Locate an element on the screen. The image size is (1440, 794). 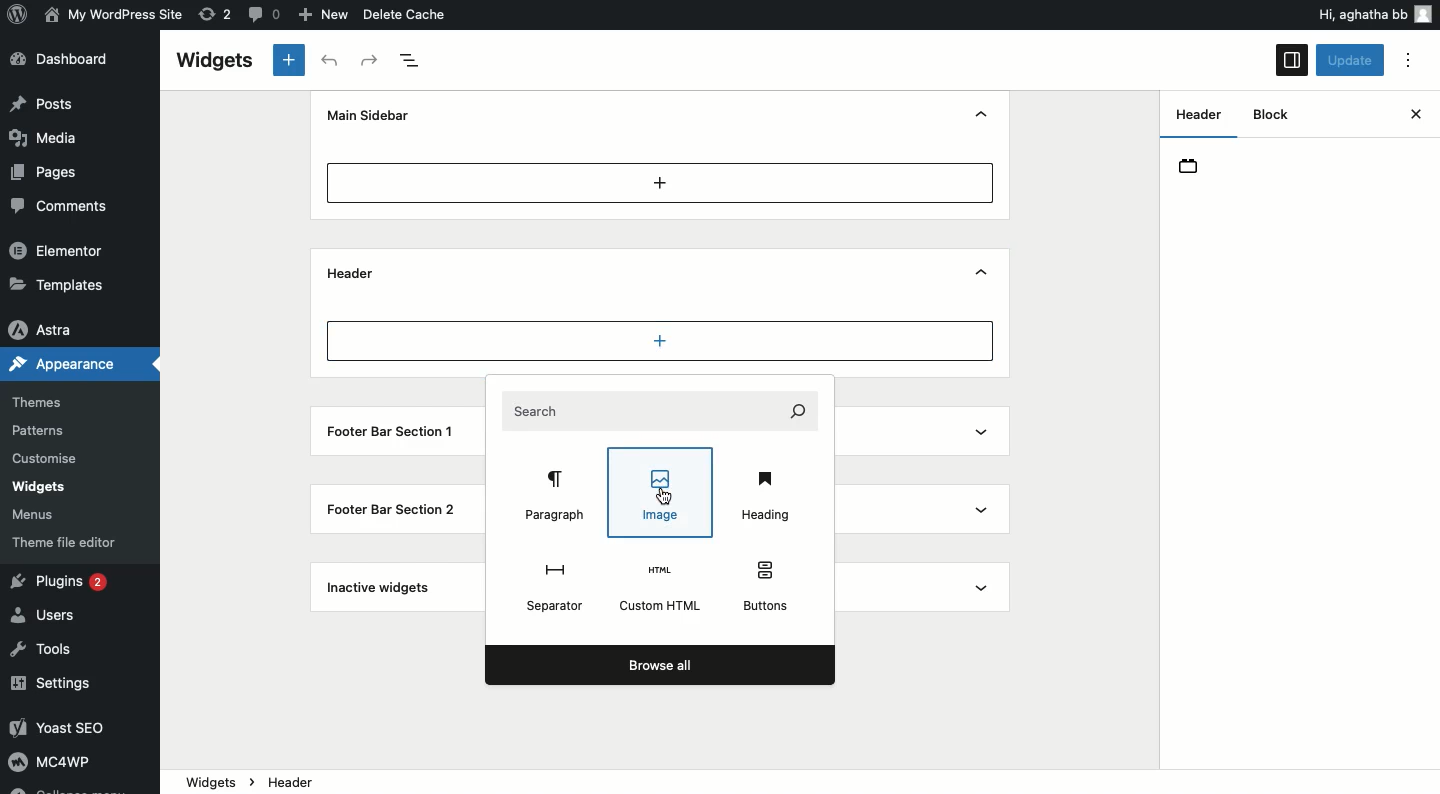
Show is located at coordinates (982, 588).